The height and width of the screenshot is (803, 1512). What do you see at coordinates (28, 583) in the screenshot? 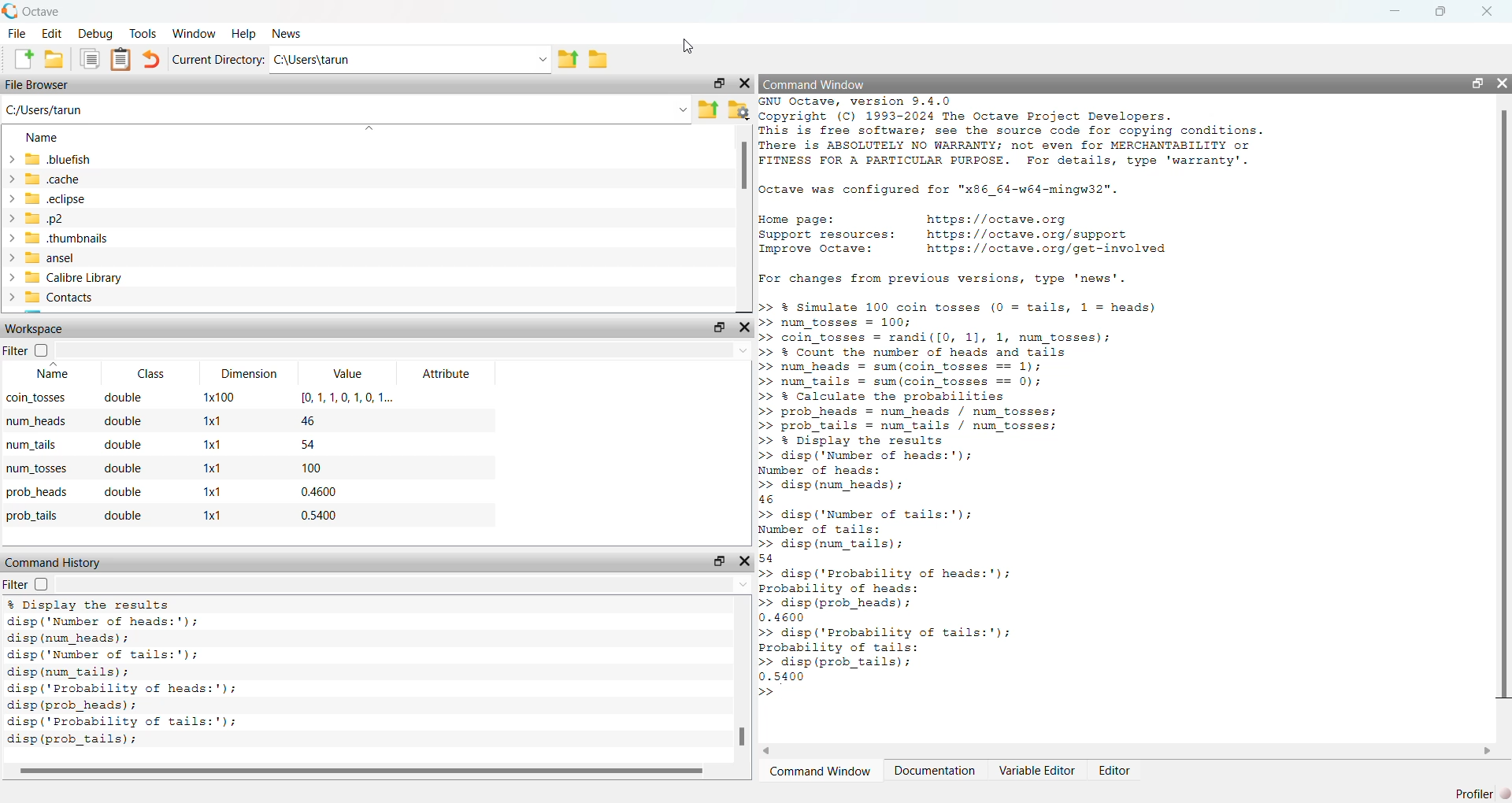
I see `Filter` at bounding box center [28, 583].